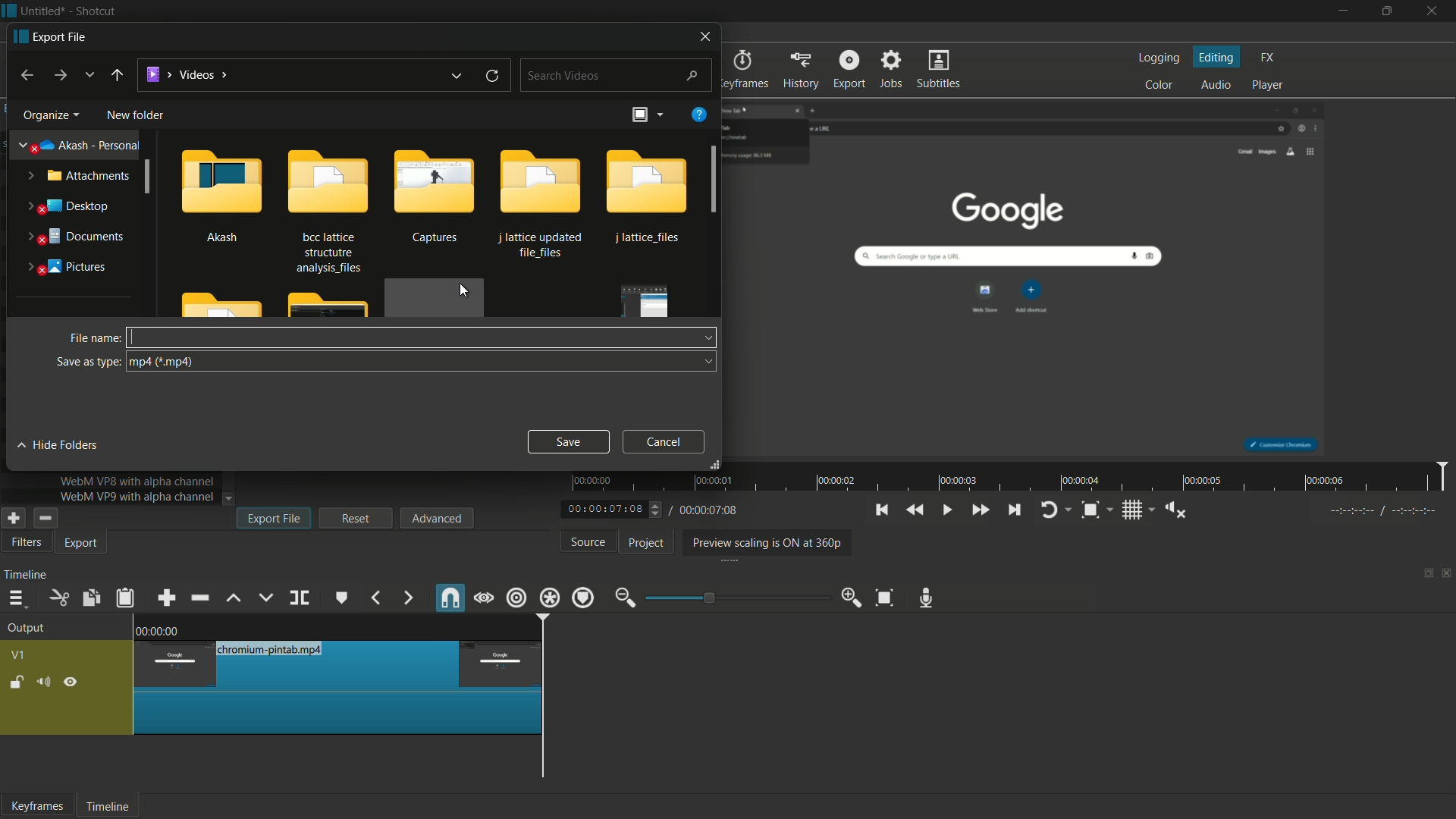 Image resolution: width=1456 pixels, height=819 pixels. Describe the element at coordinates (339, 687) in the screenshot. I see `only this segment is left now` at that location.